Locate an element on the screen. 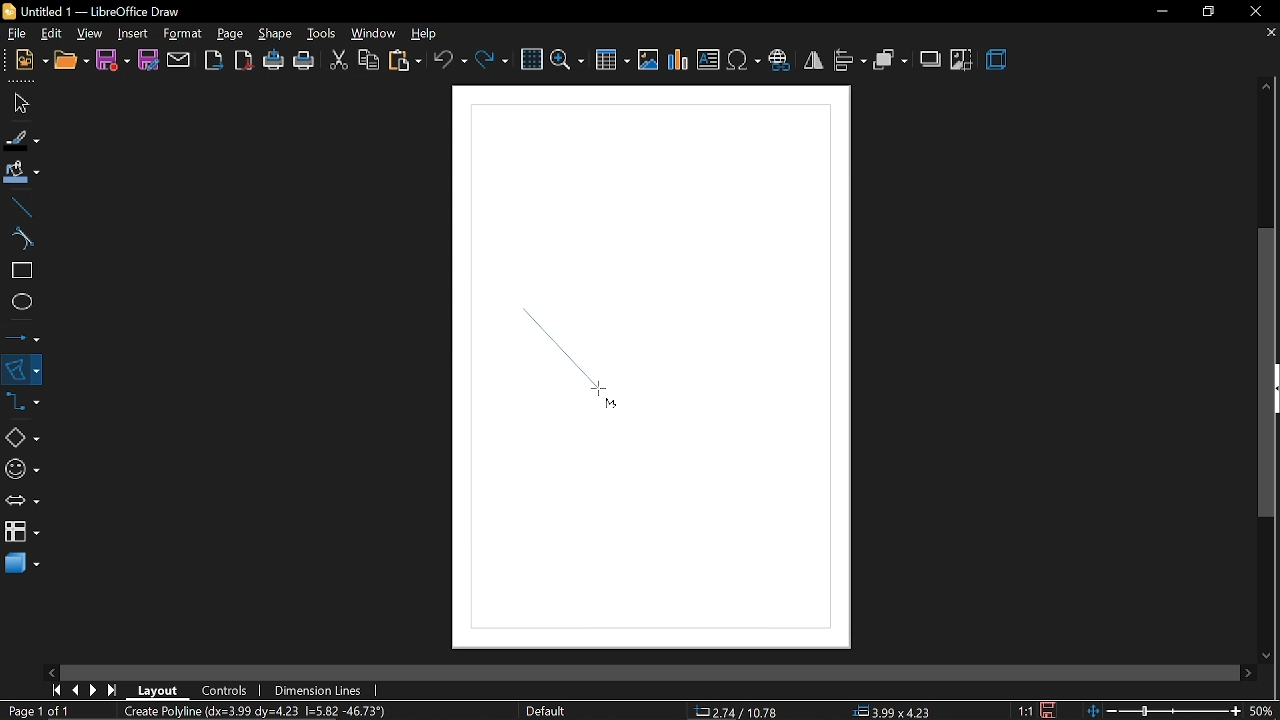  3d shapes is located at coordinates (20, 564).